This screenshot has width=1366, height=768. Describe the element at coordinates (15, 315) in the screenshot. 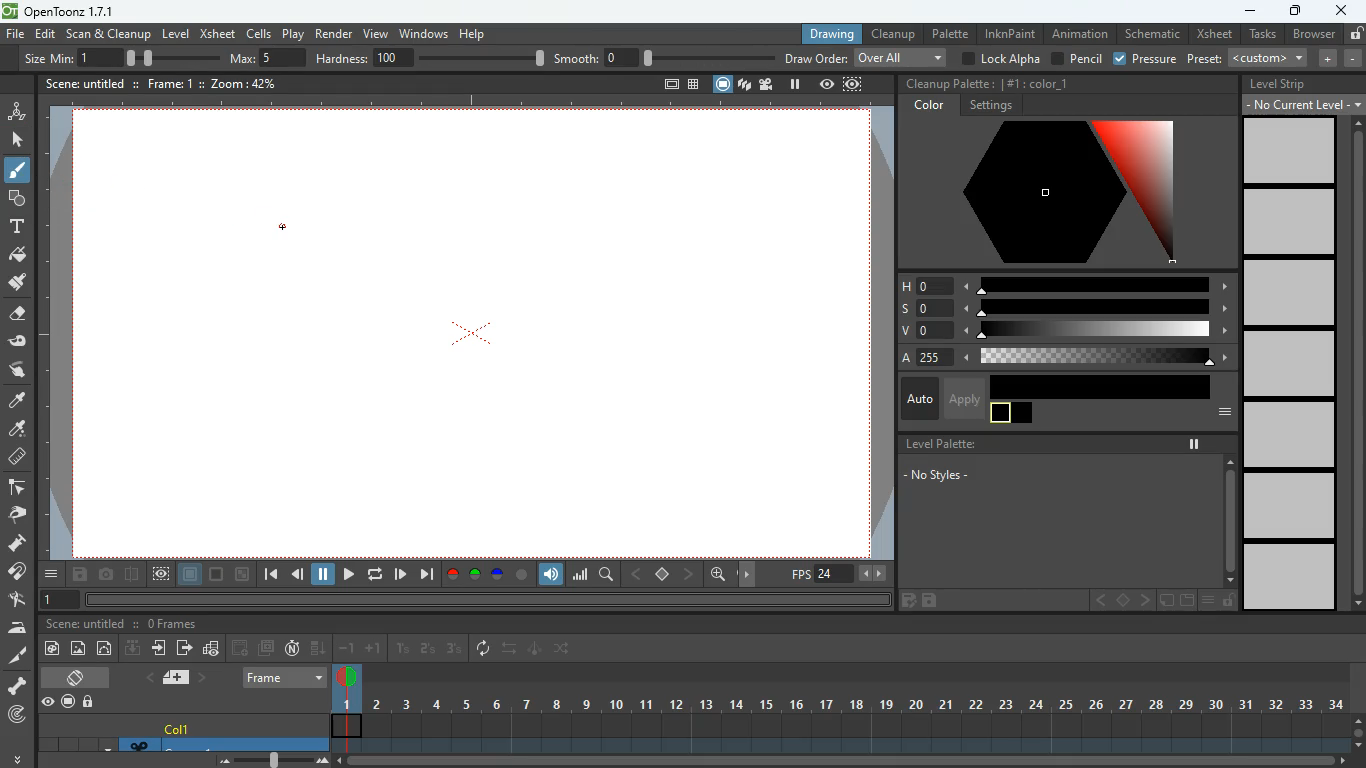

I see `erase` at that location.